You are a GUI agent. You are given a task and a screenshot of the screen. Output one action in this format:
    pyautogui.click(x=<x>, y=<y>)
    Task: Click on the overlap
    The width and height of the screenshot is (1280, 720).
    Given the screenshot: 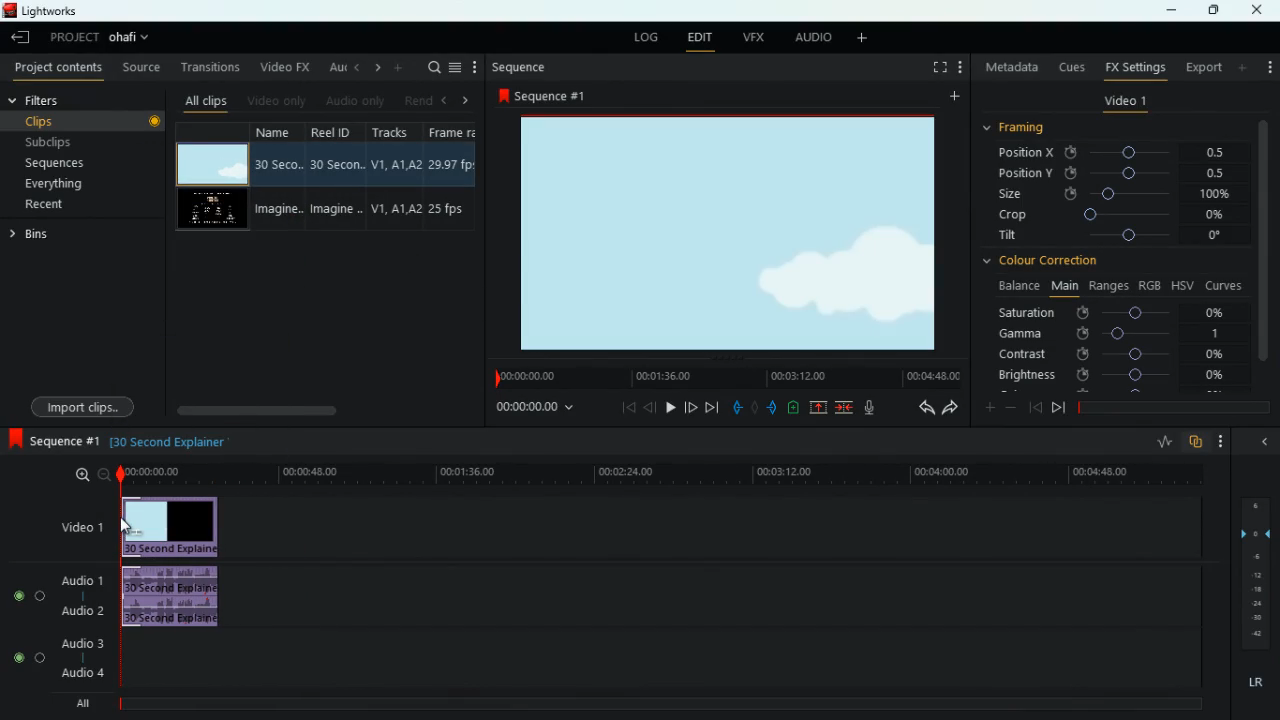 What is the action you would take?
    pyautogui.click(x=1196, y=443)
    